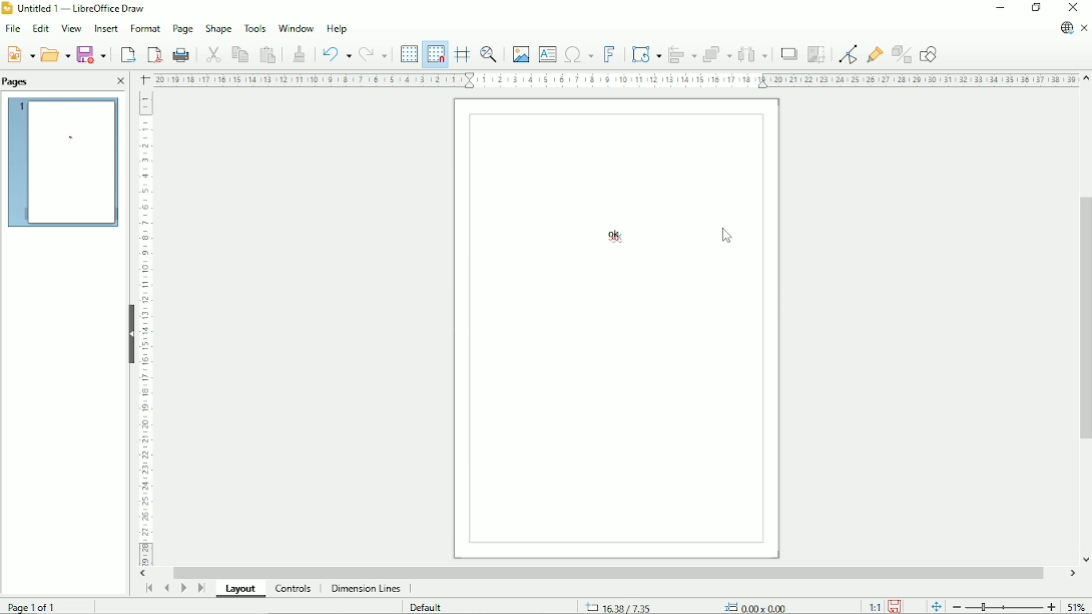  What do you see at coordinates (64, 163) in the screenshot?
I see `Preview` at bounding box center [64, 163].